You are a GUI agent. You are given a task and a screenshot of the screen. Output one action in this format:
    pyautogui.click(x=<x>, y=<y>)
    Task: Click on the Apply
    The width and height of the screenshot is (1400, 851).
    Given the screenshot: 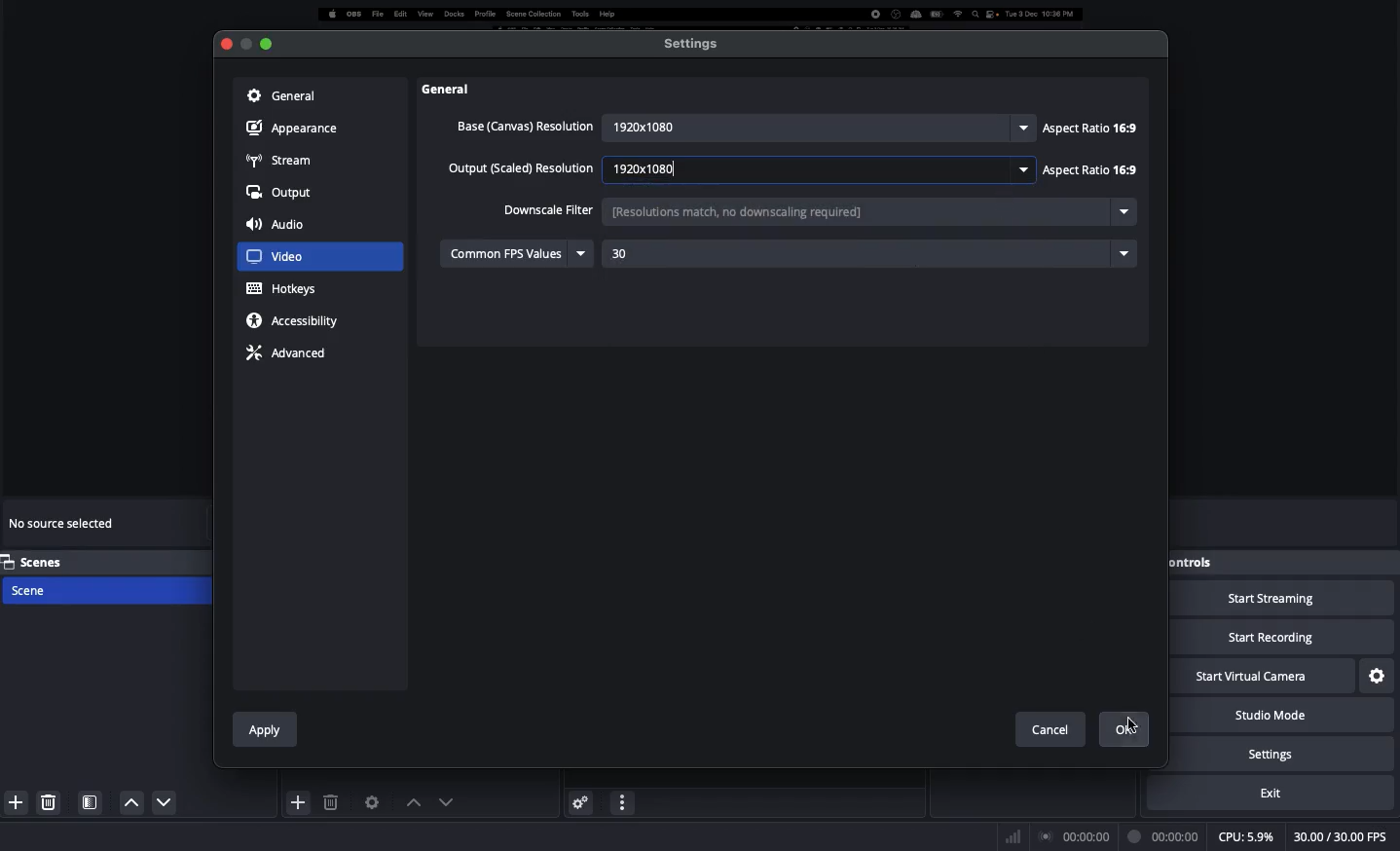 What is the action you would take?
    pyautogui.click(x=266, y=726)
    